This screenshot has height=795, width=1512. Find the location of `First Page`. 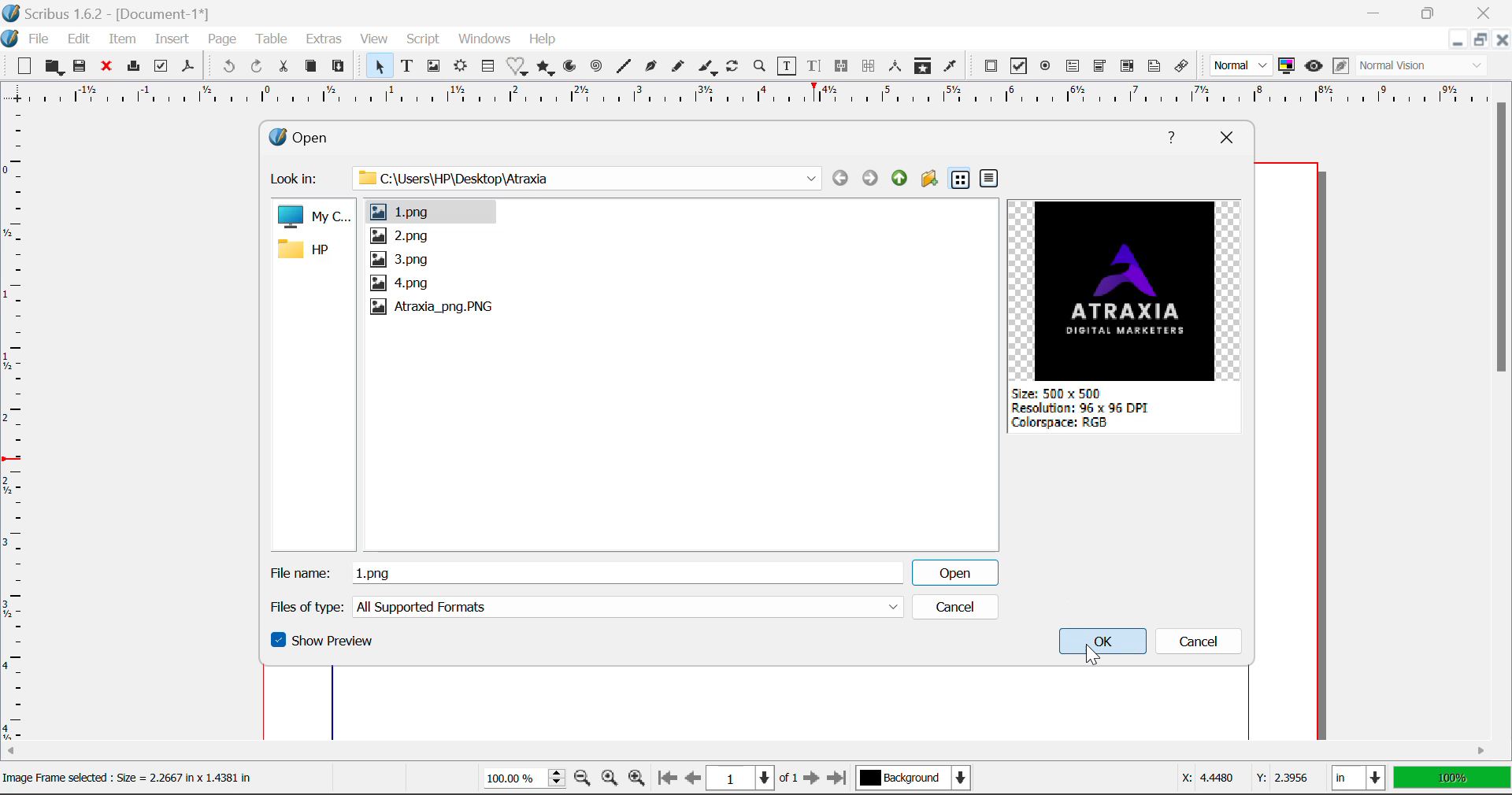

First Page is located at coordinates (667, 778).